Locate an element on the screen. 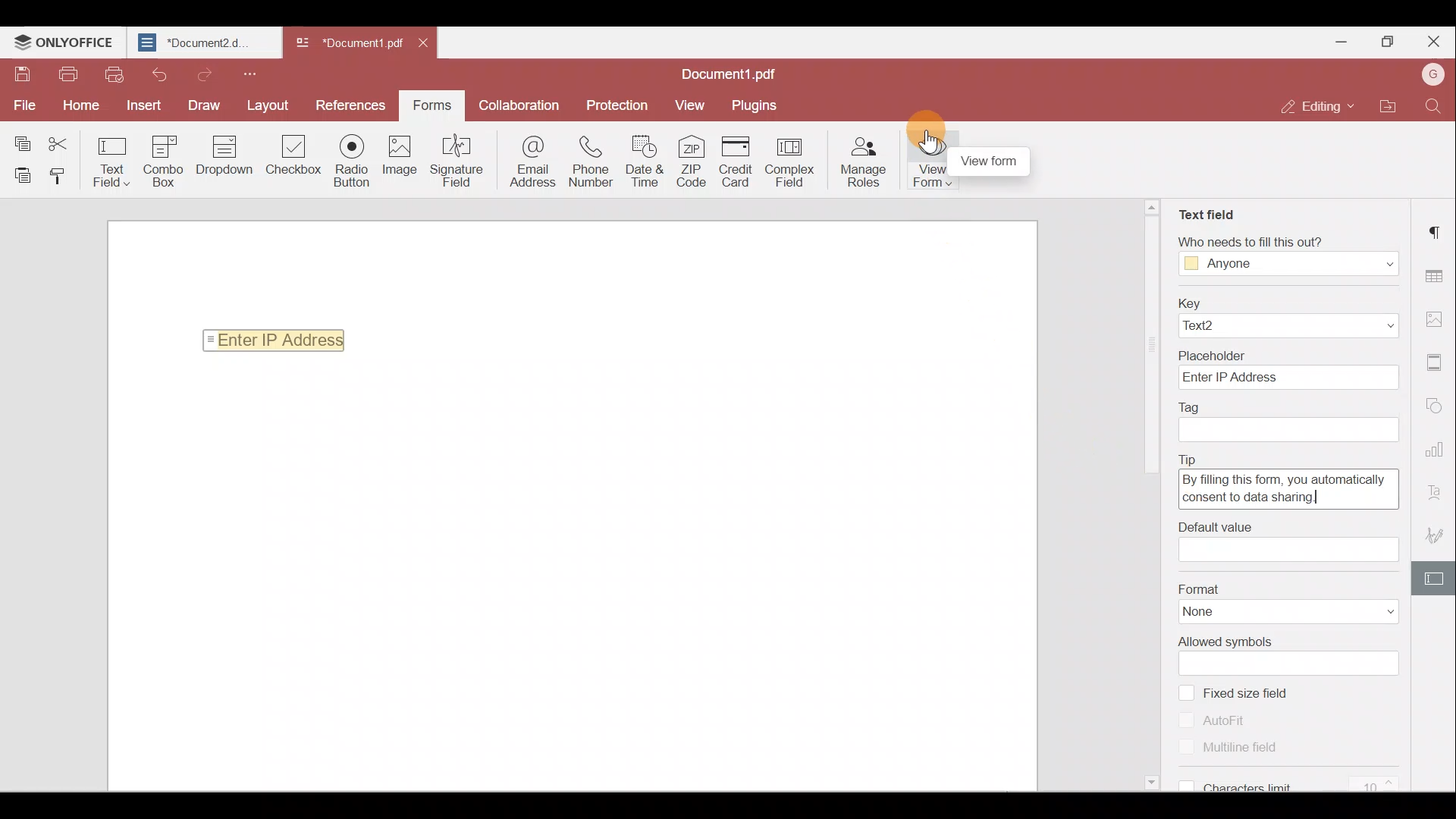 The image size is (1456, 819). Home is located at coordinates (85, 104).